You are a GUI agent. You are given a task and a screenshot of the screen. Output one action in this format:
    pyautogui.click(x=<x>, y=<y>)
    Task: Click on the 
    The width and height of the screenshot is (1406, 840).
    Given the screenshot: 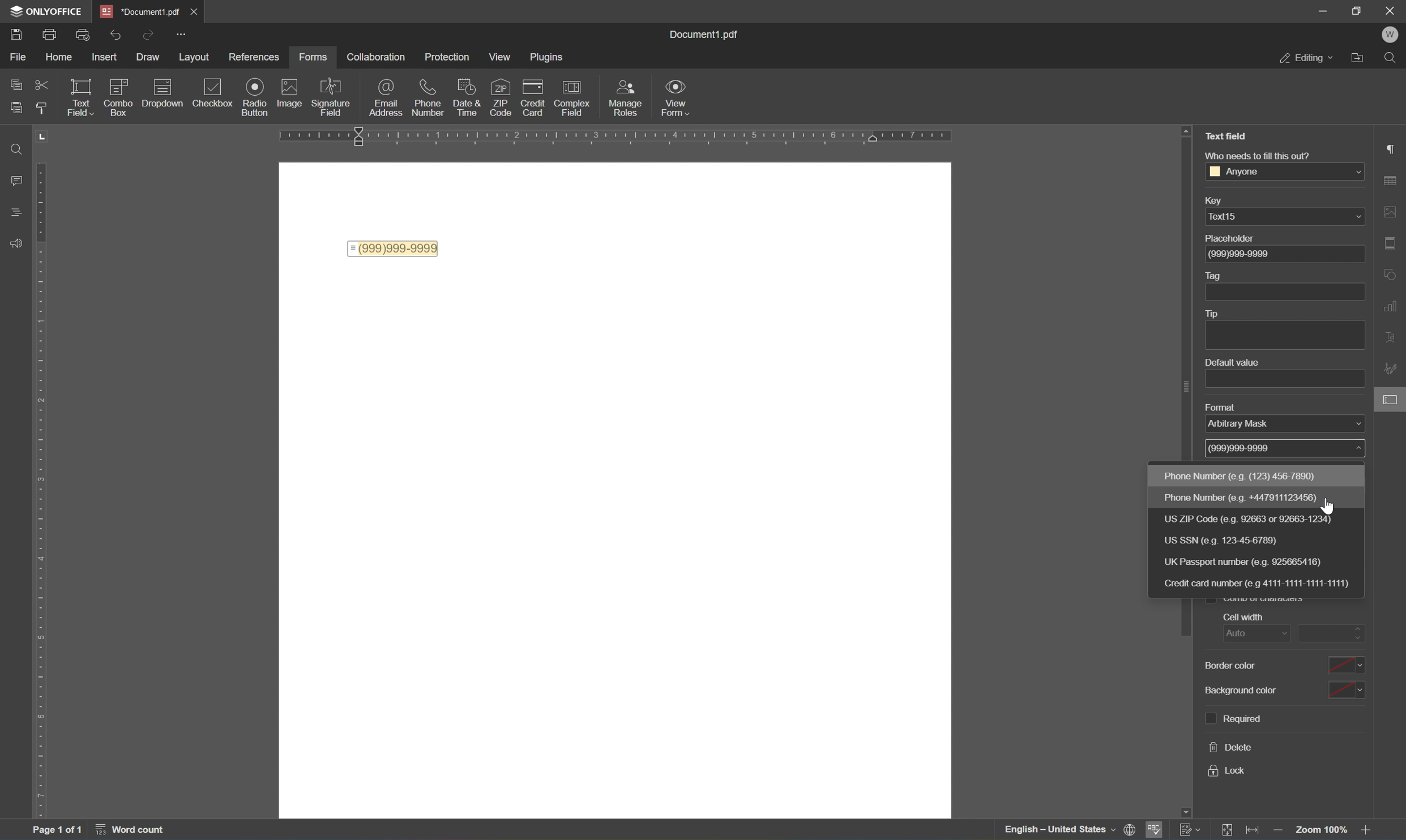 What is the action you would take?
    pyautogui.click(x=501, y=57)
    